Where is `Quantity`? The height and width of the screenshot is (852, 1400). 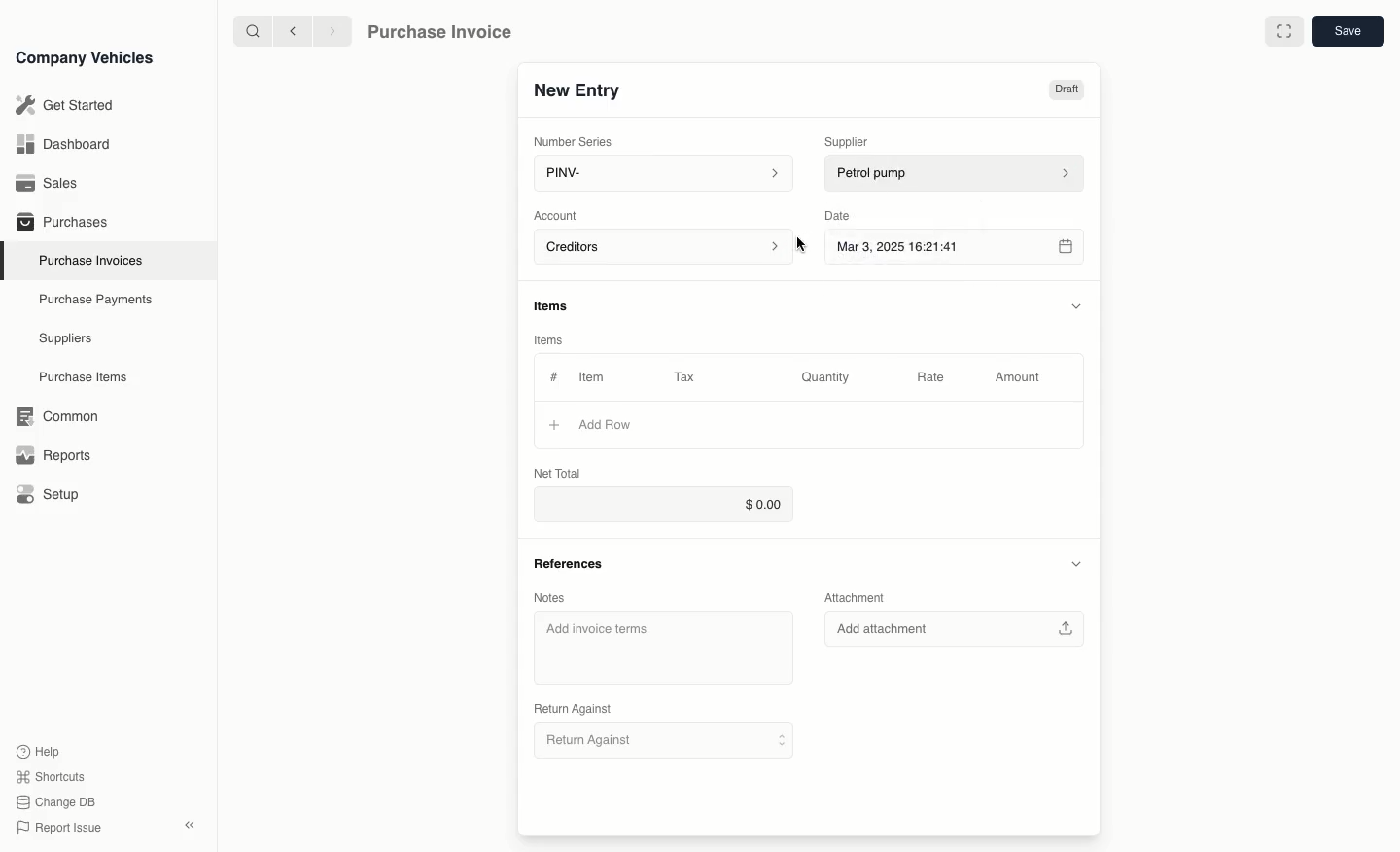 Quantity is located at coordinates (828, 377).